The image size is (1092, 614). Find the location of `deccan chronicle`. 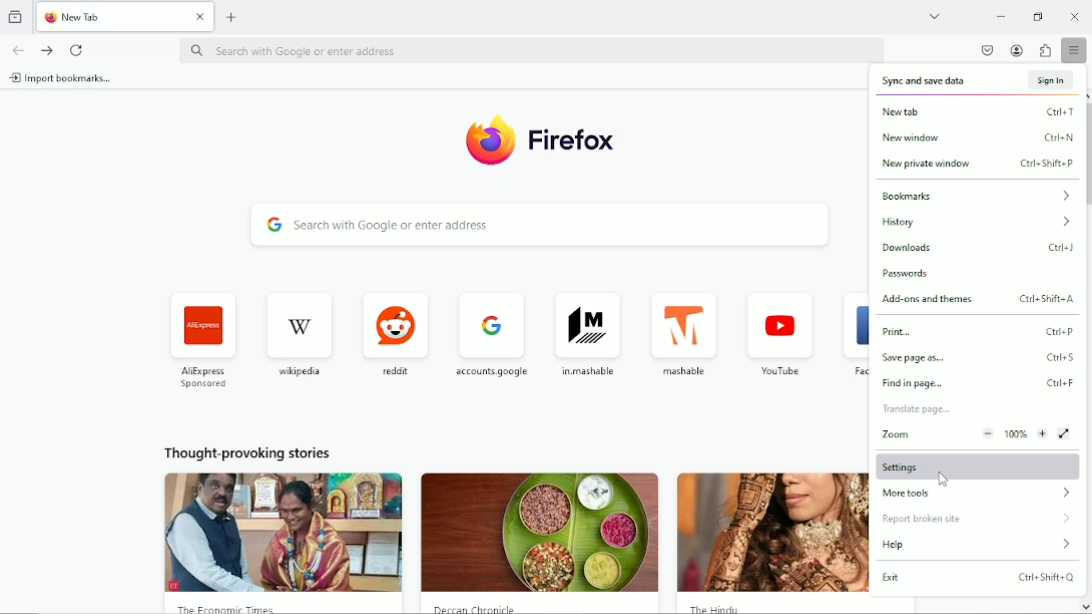

deccan chronicle is located at coordinates (478, 607).